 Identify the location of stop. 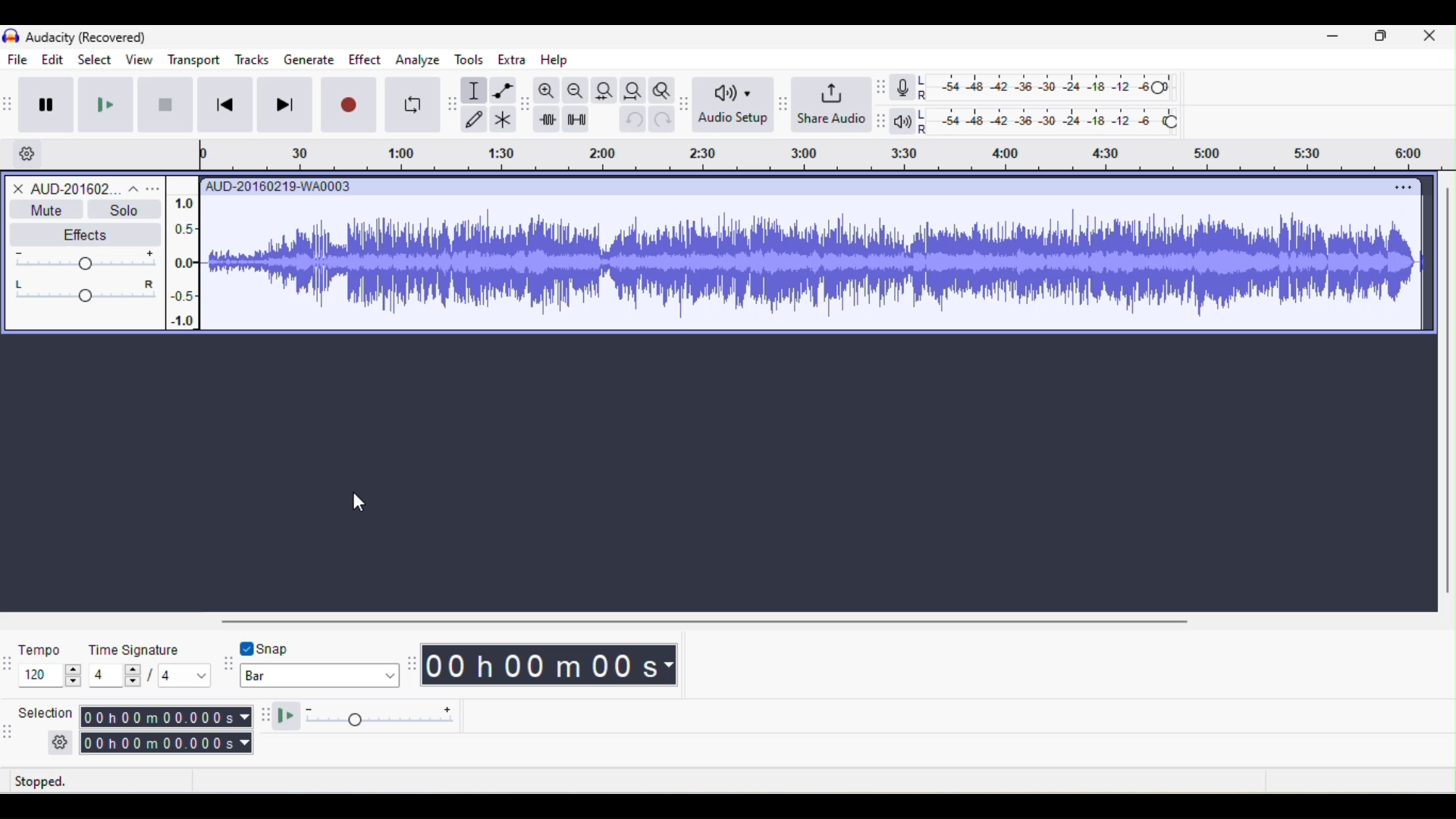
(165, 107).